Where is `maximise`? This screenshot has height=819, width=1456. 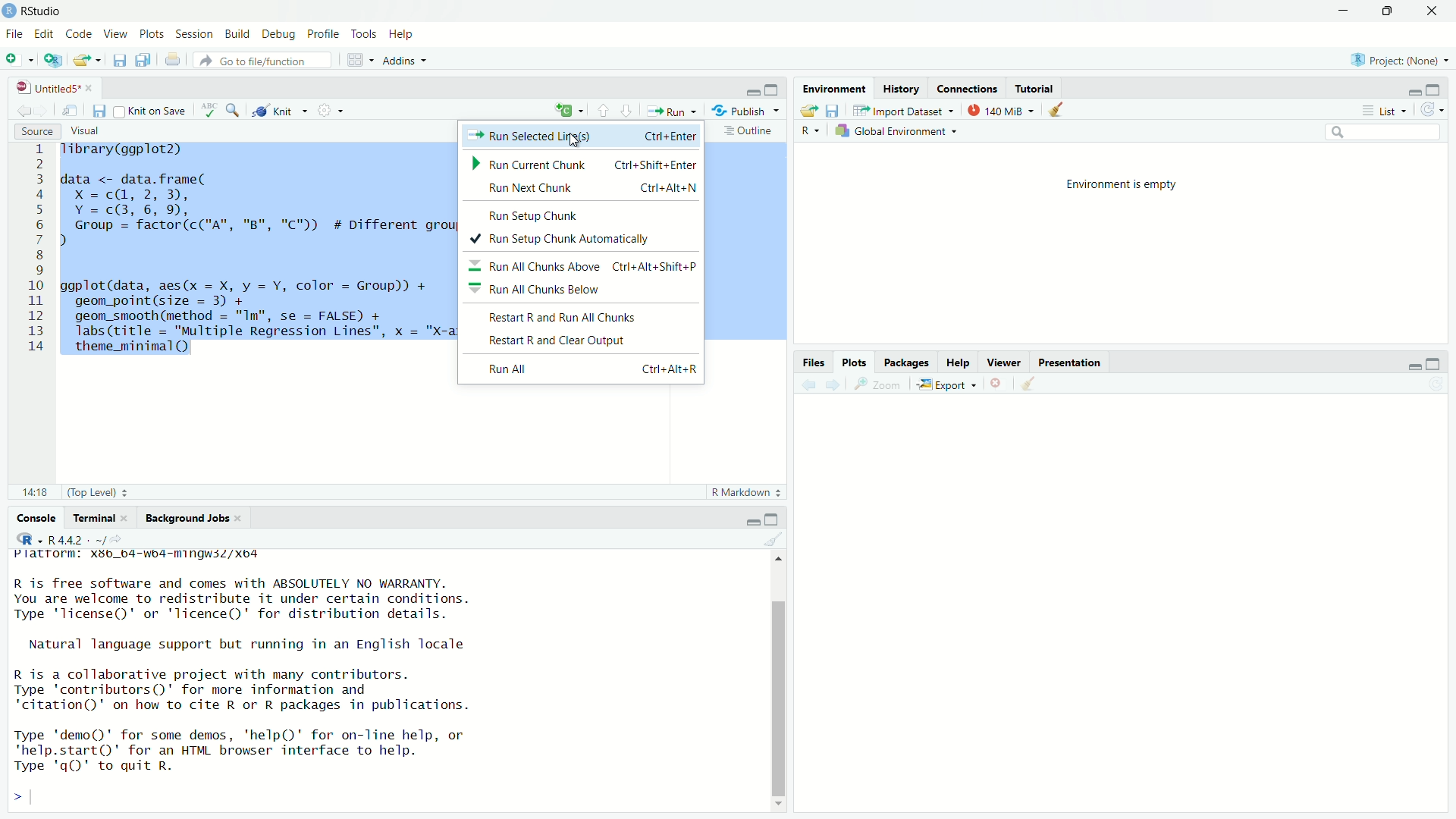
maximise is located at coordinates (1439, 362).